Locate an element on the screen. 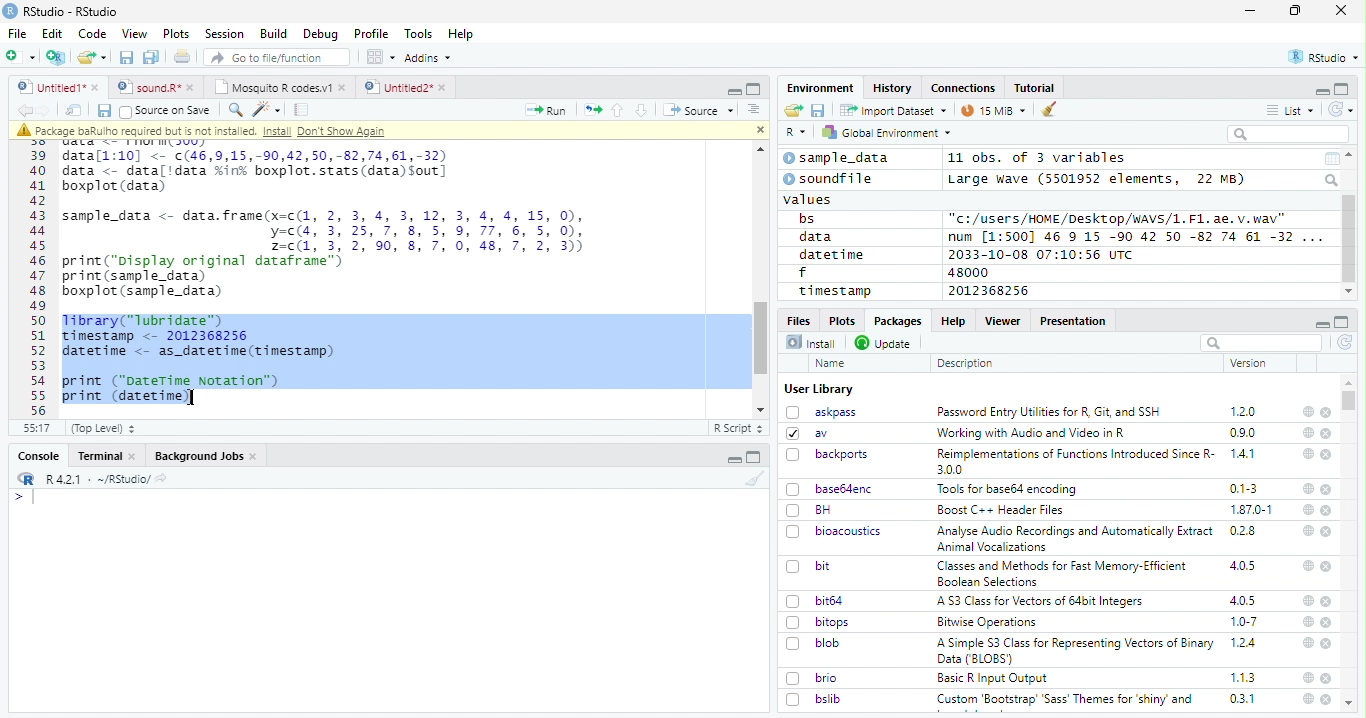 The height and width of the screenshot is (718, 1366). Tools is located at coordinates (417, 34).